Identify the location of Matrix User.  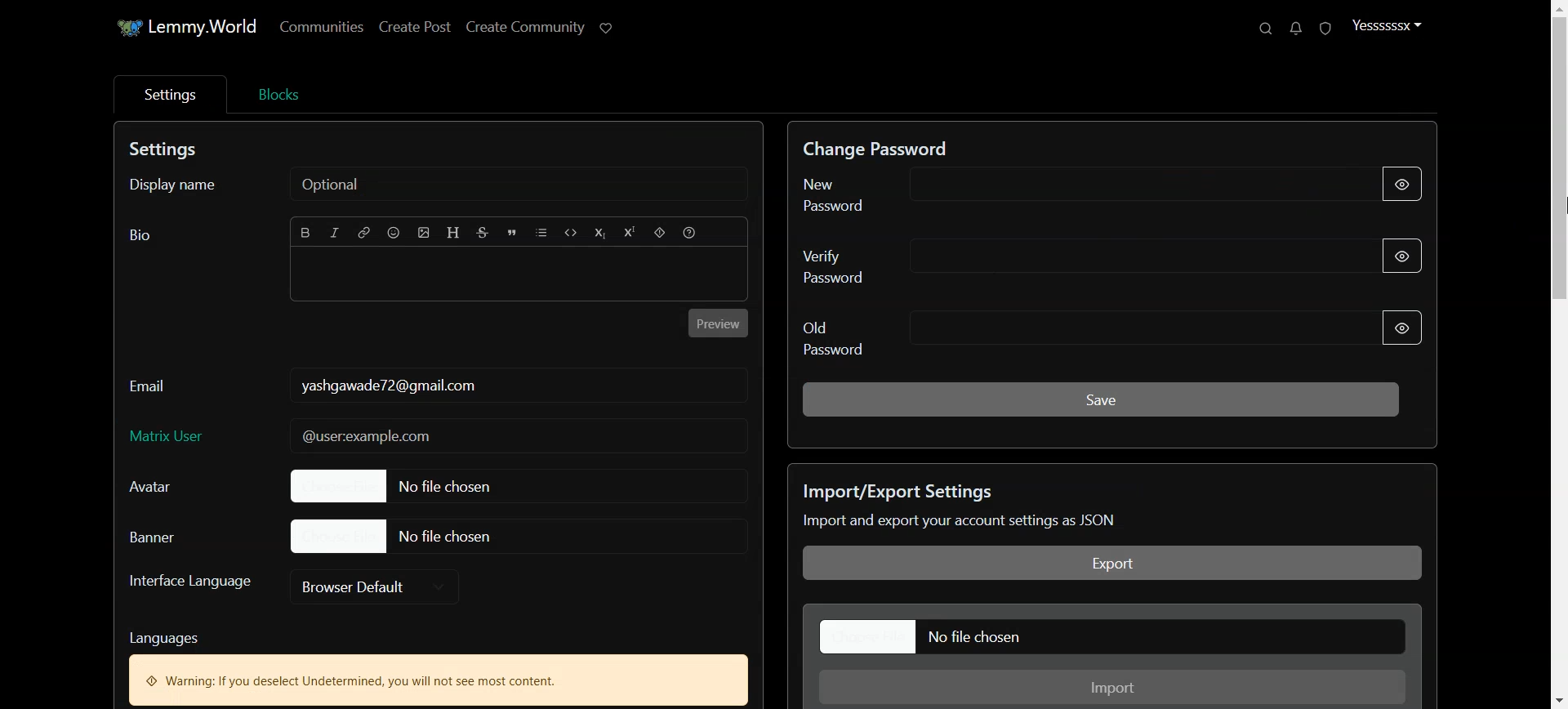
(189, 438).